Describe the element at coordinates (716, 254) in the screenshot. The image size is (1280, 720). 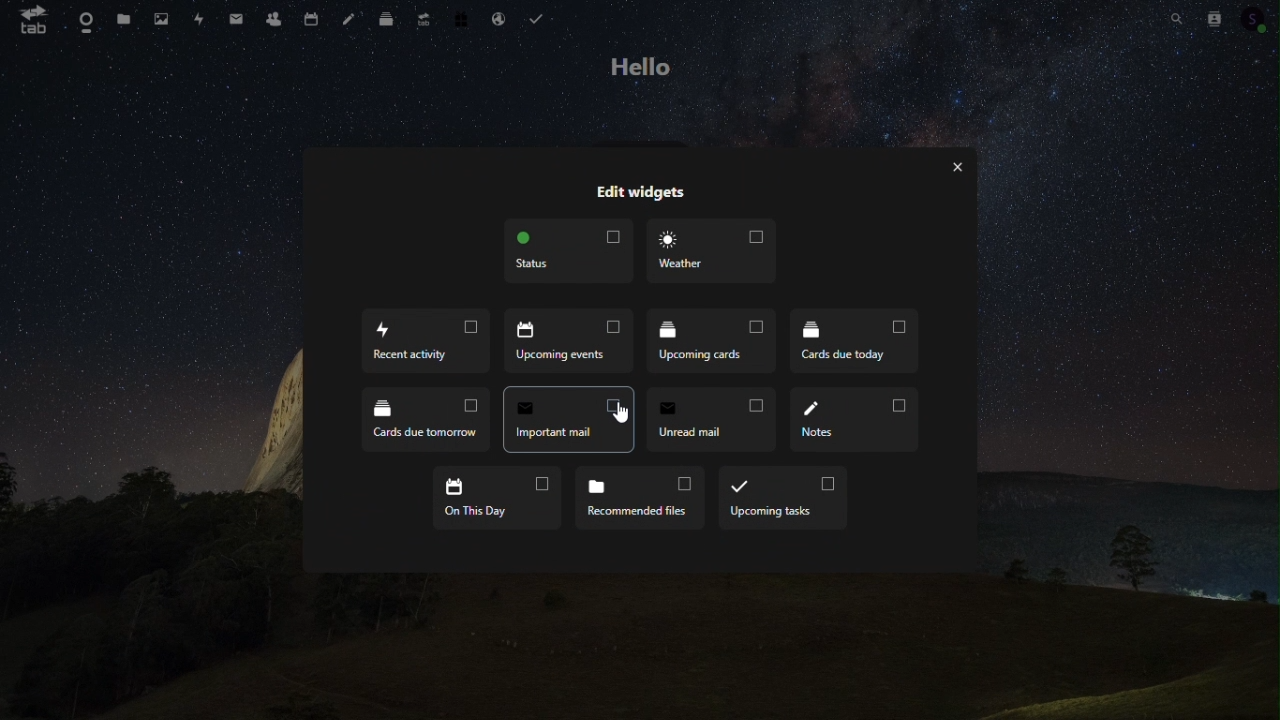
I see `weather` at that location.